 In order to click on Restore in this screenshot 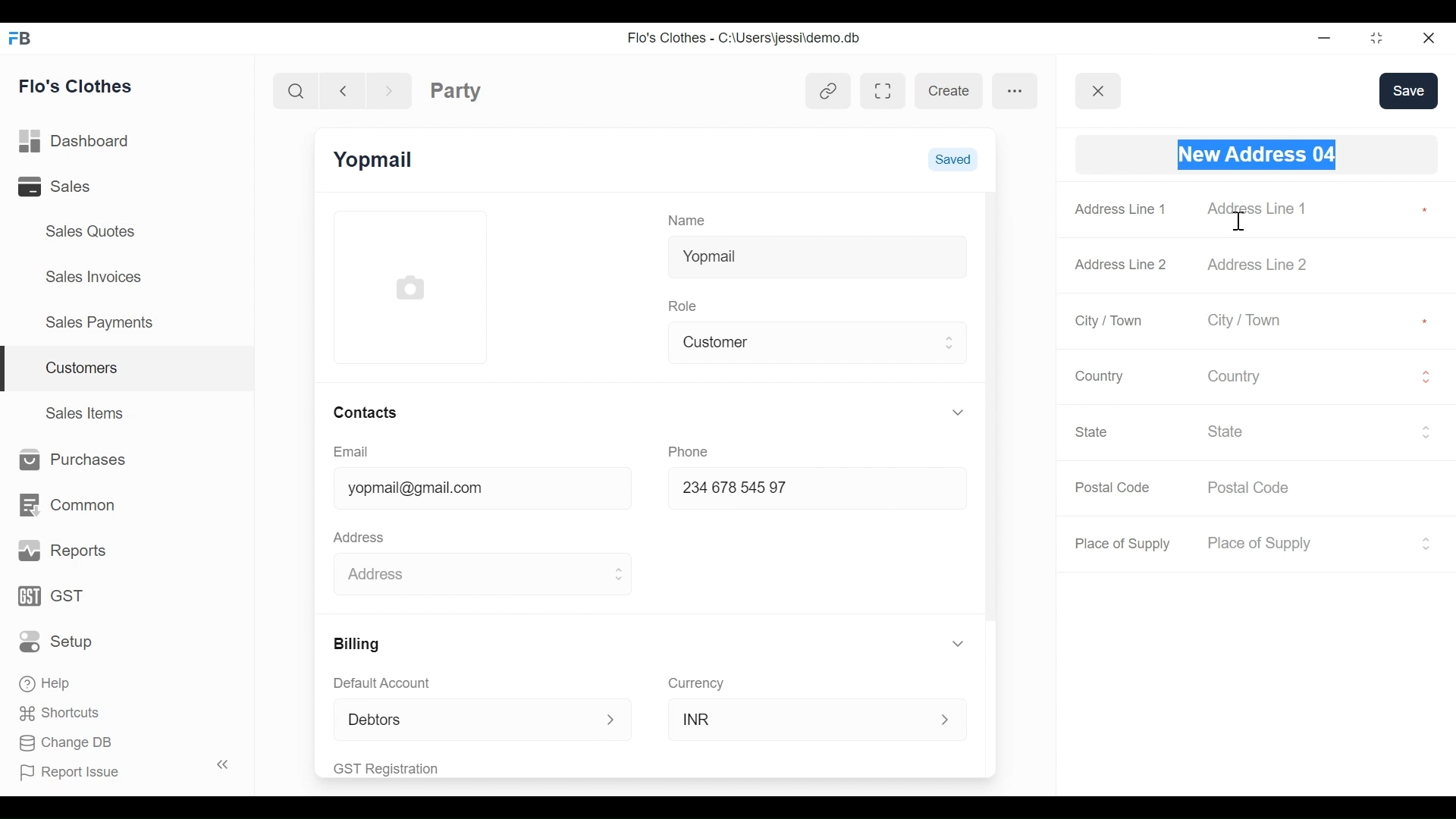, I will do `click(1372, 38)`.